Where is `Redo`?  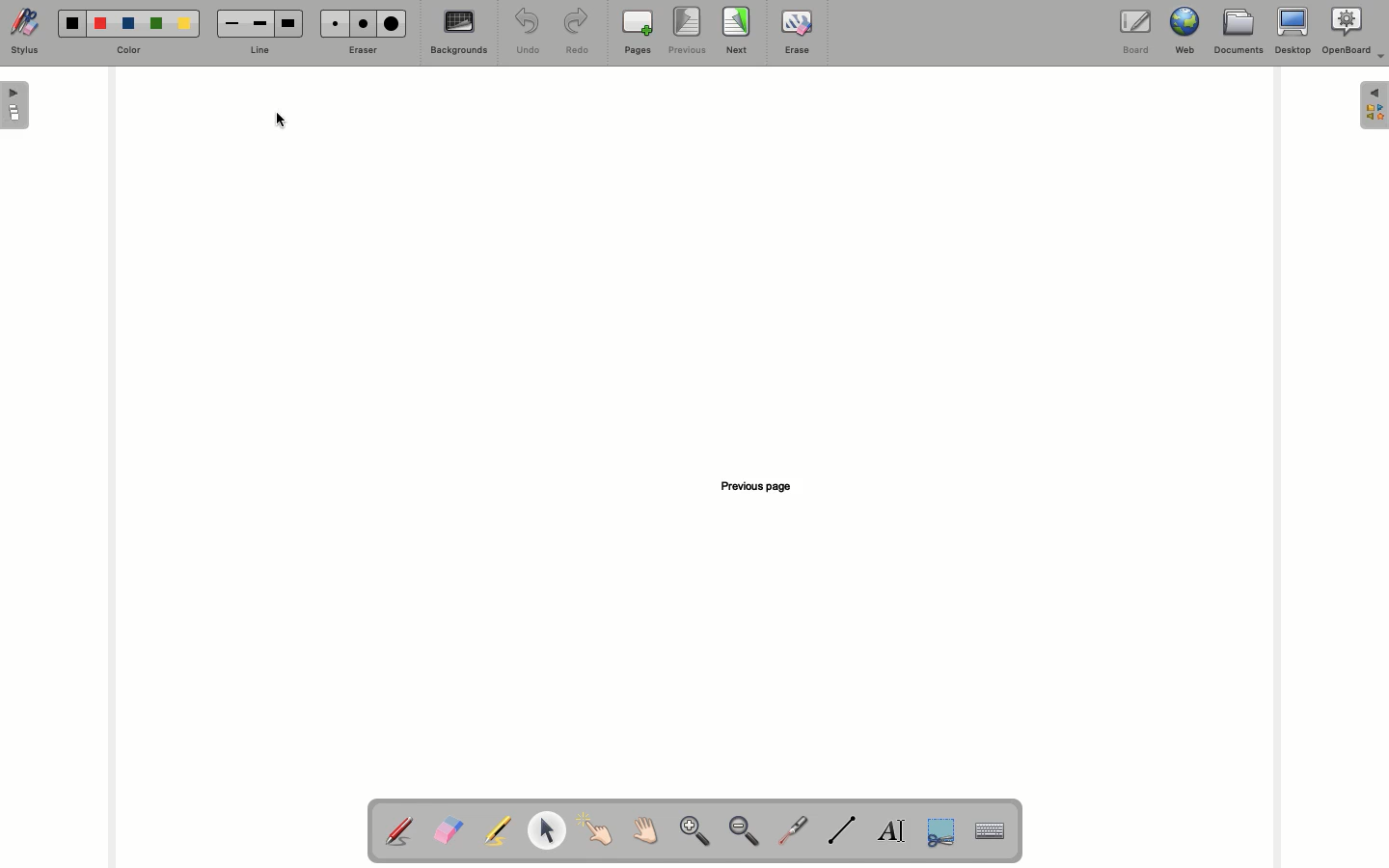
Redo is located at coordinates (574, 33).